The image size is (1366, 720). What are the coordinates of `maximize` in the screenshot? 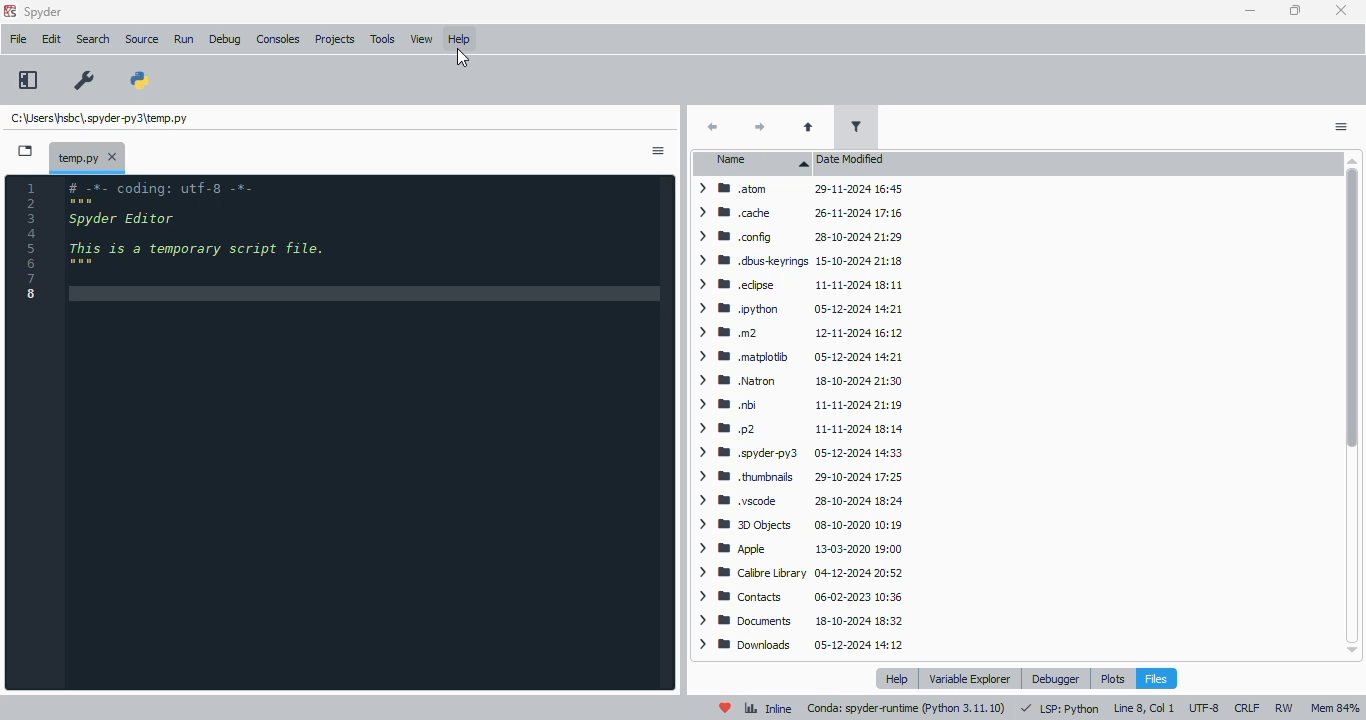 It's located at (1296, 11).